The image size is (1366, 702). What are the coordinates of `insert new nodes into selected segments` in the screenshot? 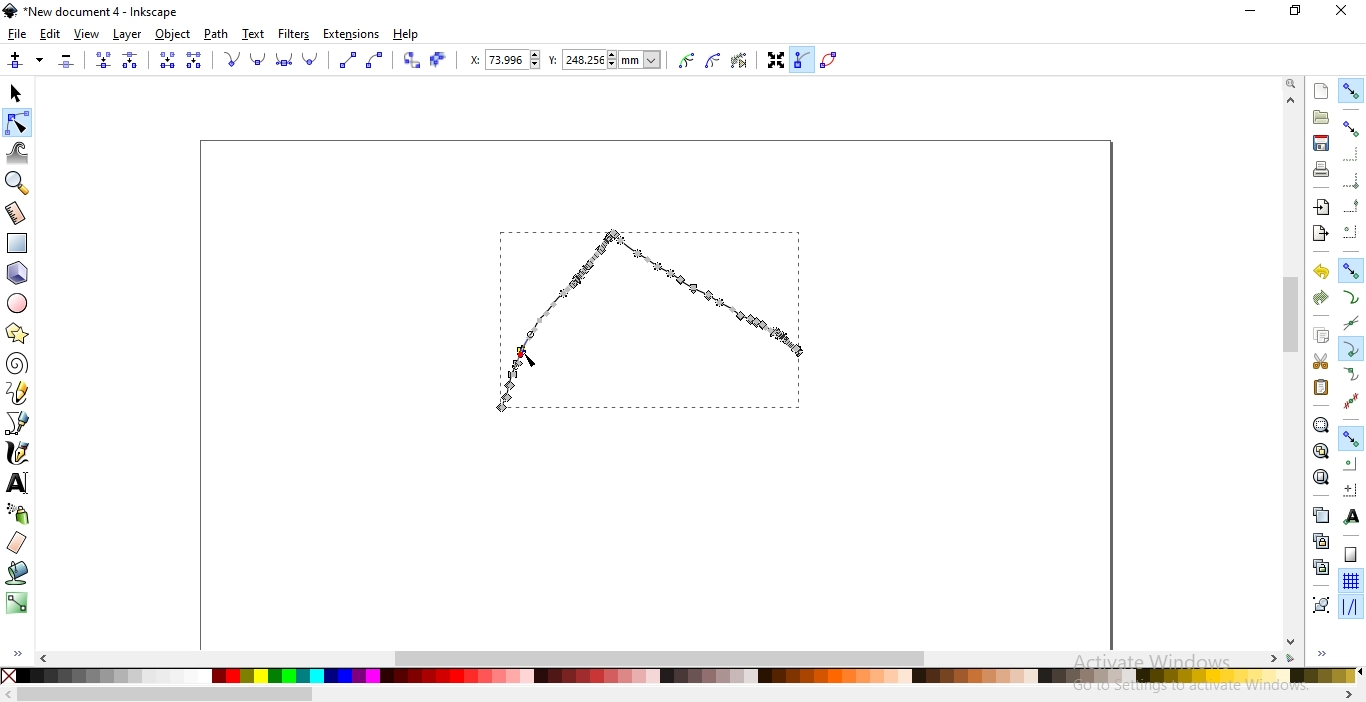 It's located at (15, 61).